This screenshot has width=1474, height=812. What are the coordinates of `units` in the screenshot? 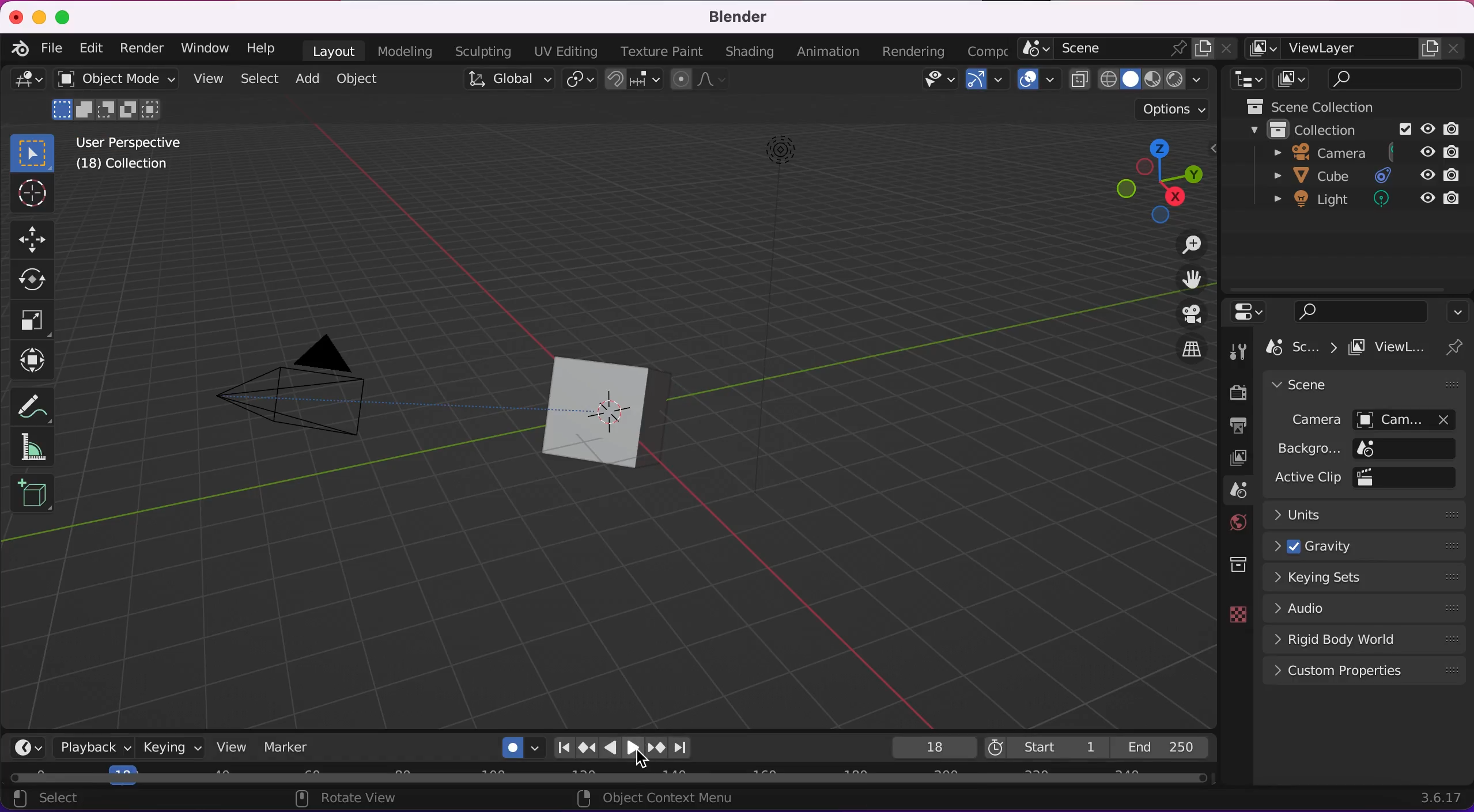 It's located at (1365, 516).